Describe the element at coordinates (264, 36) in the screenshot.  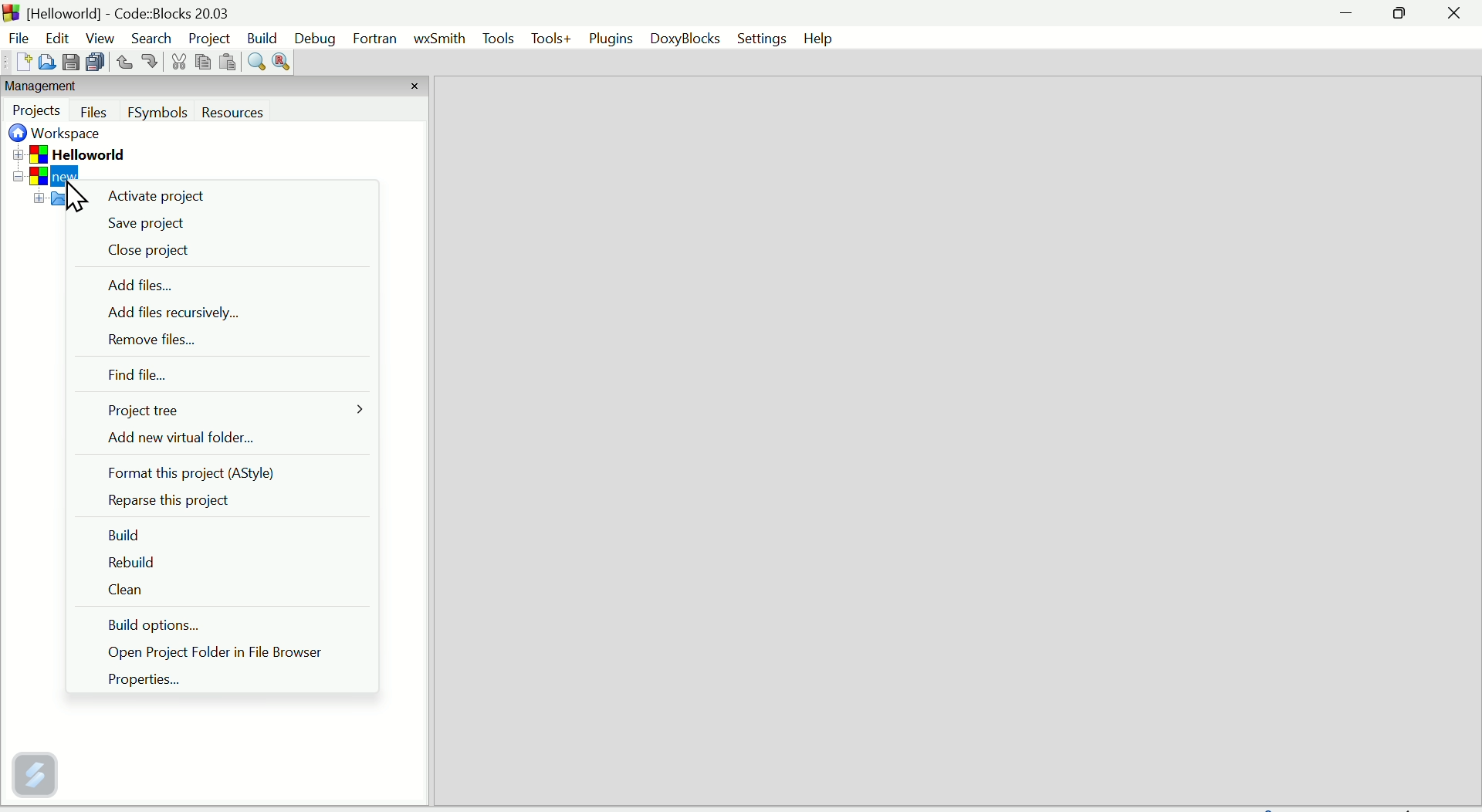
I see `Build` at that location.